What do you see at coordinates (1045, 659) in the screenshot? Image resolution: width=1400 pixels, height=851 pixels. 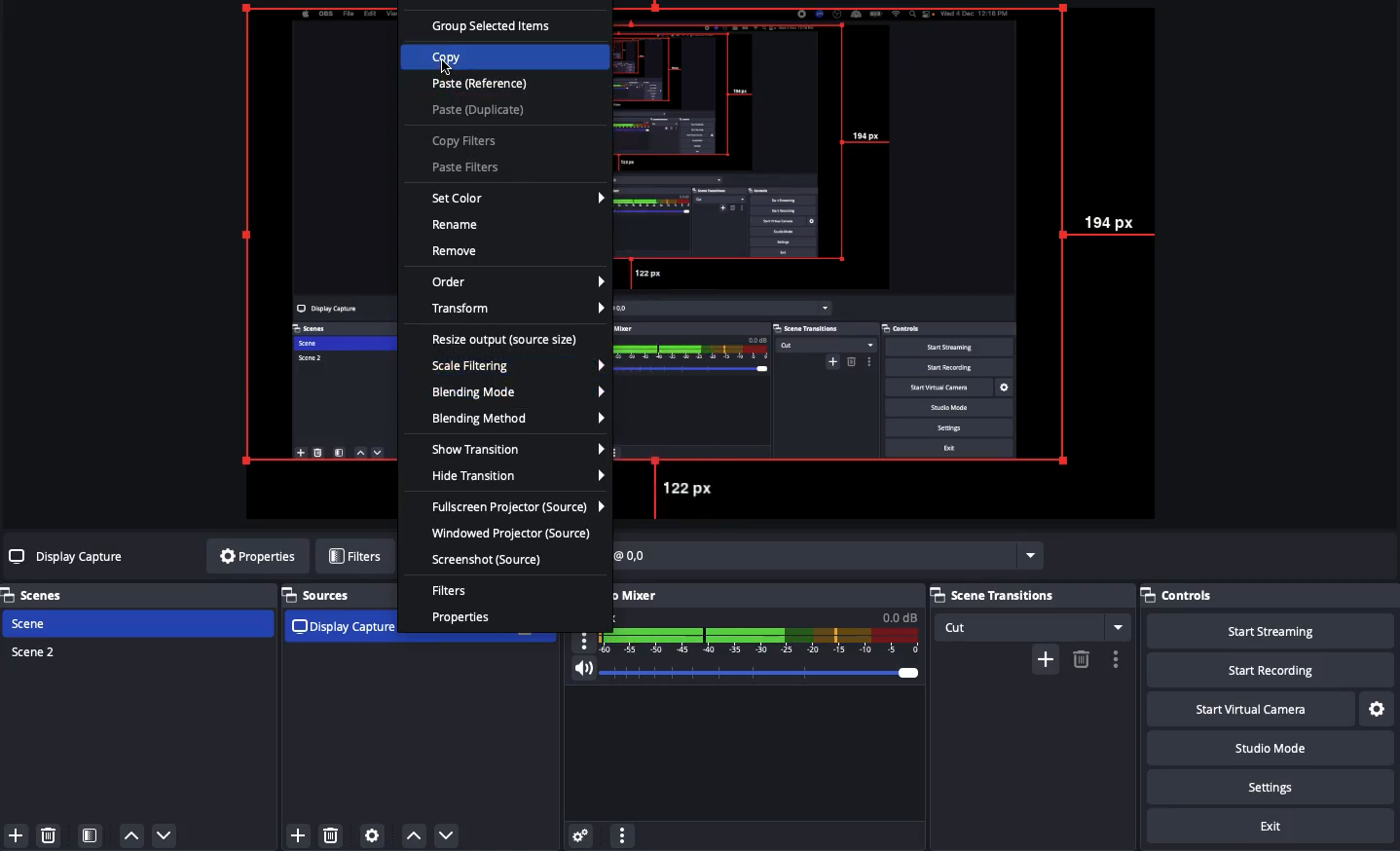 I see `add` at bounding box center [1045, 659].